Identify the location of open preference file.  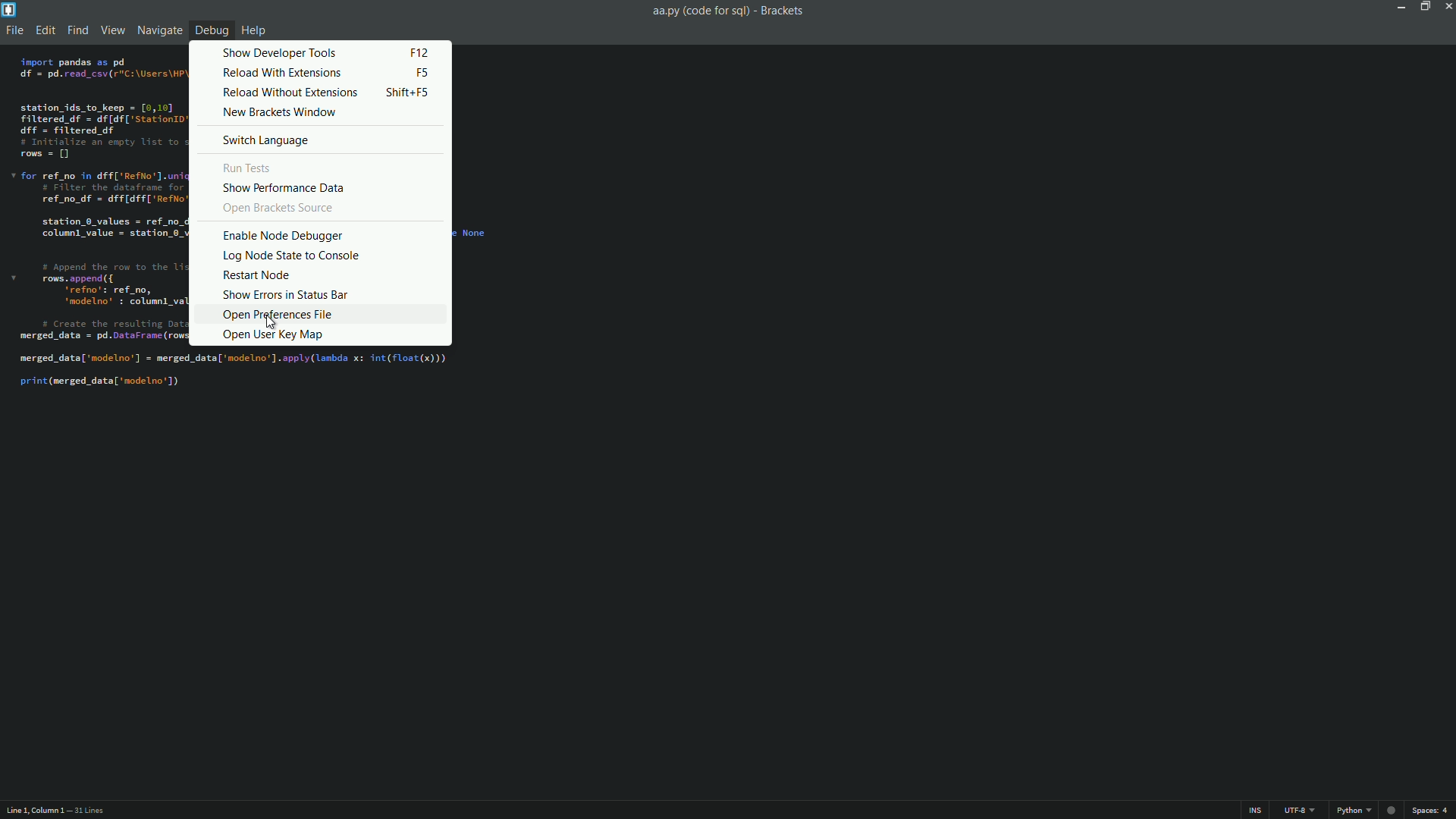
(278, 315).